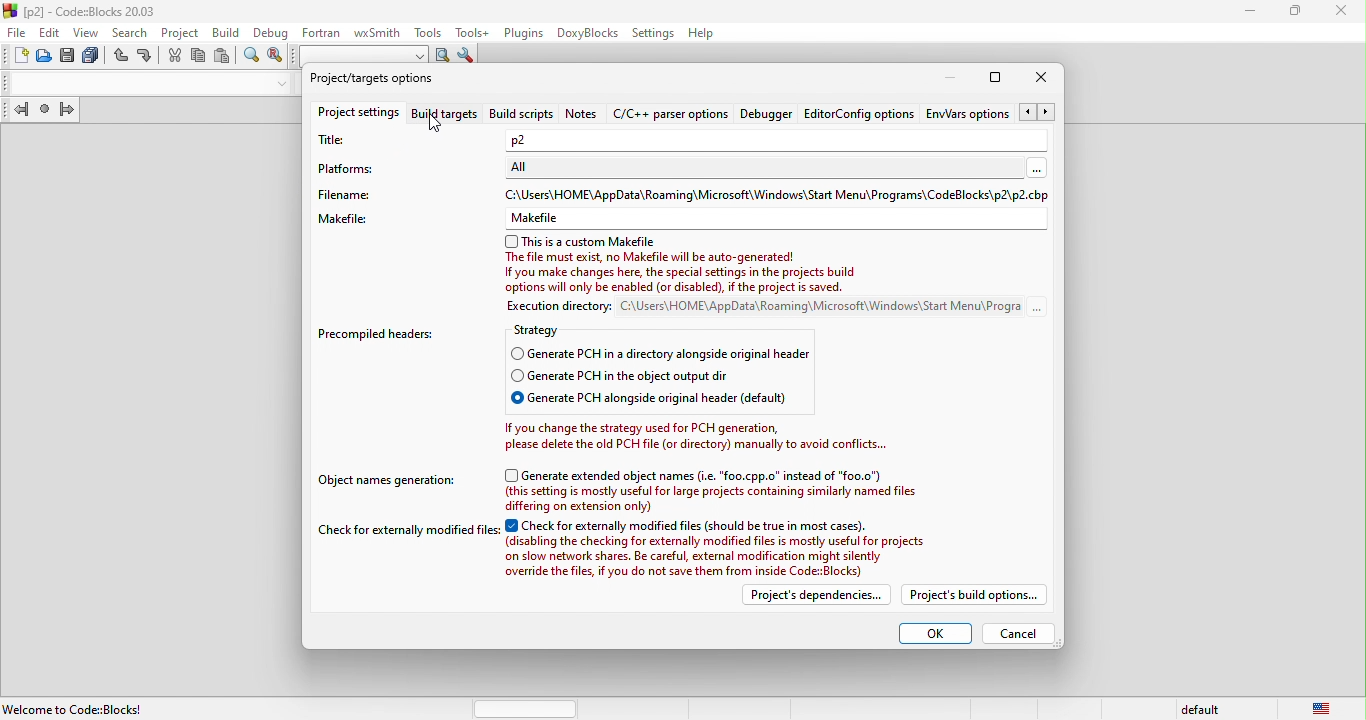 The height and width of the screenshot is (720, 1366). Describe the element at coordinates (707, 33) in the screenshot. I see `help` at that location.